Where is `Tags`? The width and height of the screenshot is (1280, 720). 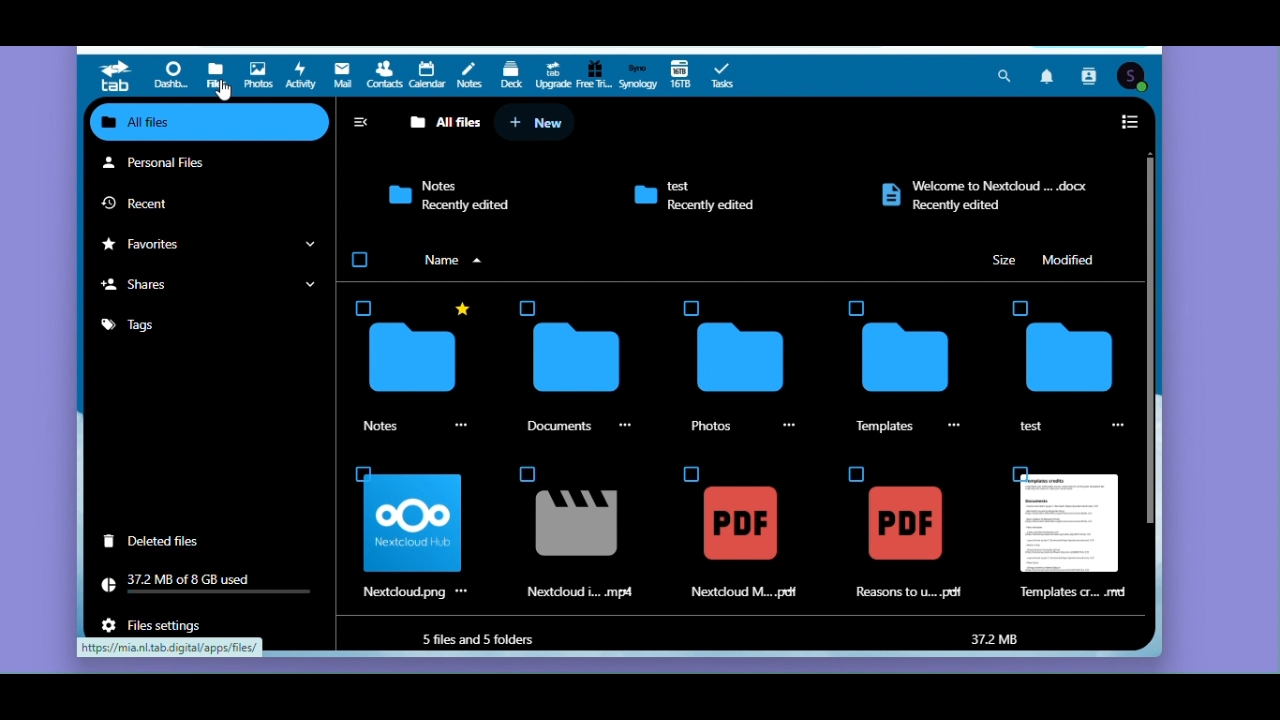
Tags is located at coordinates (201, 322).